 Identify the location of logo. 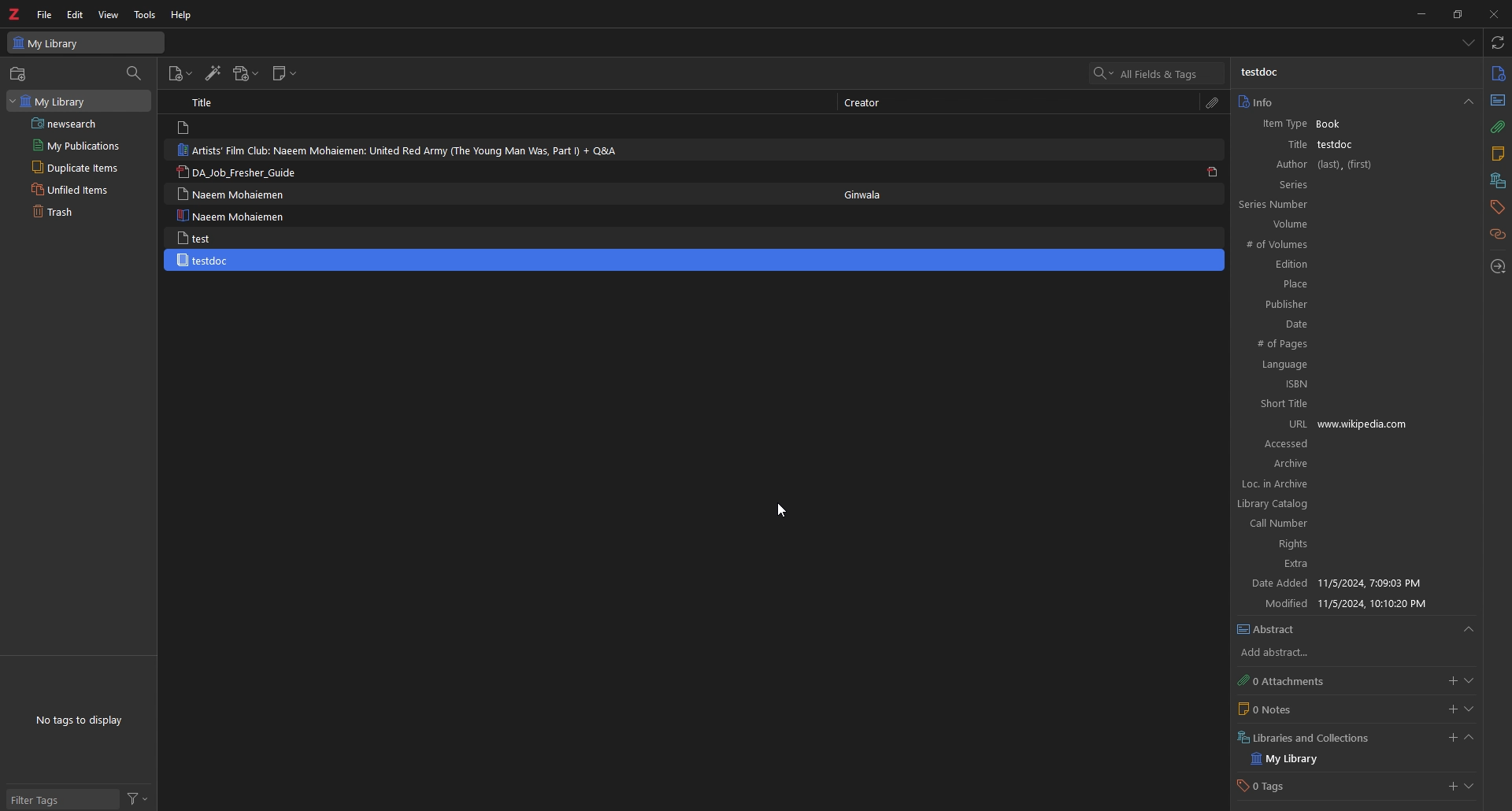
(15, 14).